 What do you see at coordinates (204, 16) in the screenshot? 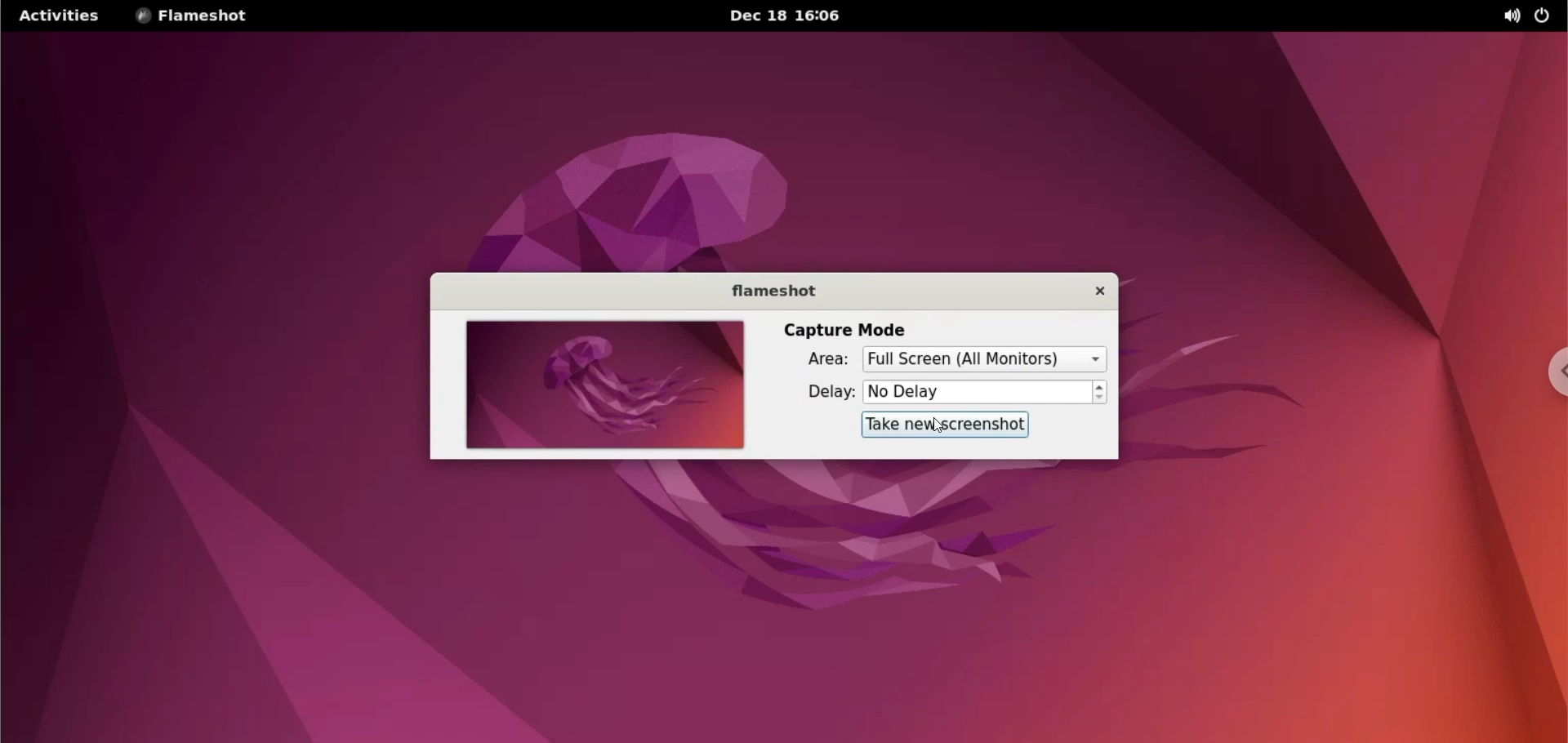
I see `flameshot menu` at bounding box center [204, 16].